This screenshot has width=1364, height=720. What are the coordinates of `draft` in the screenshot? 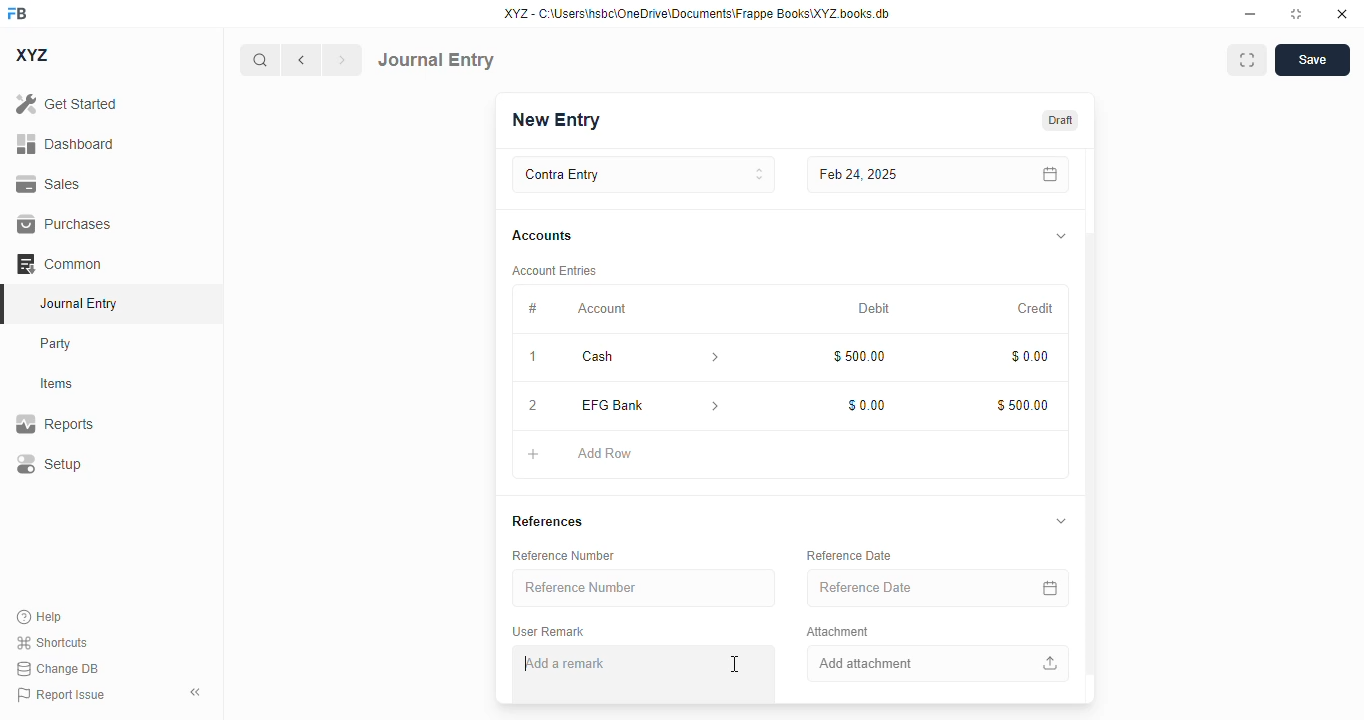 It's located at (1061, 119).